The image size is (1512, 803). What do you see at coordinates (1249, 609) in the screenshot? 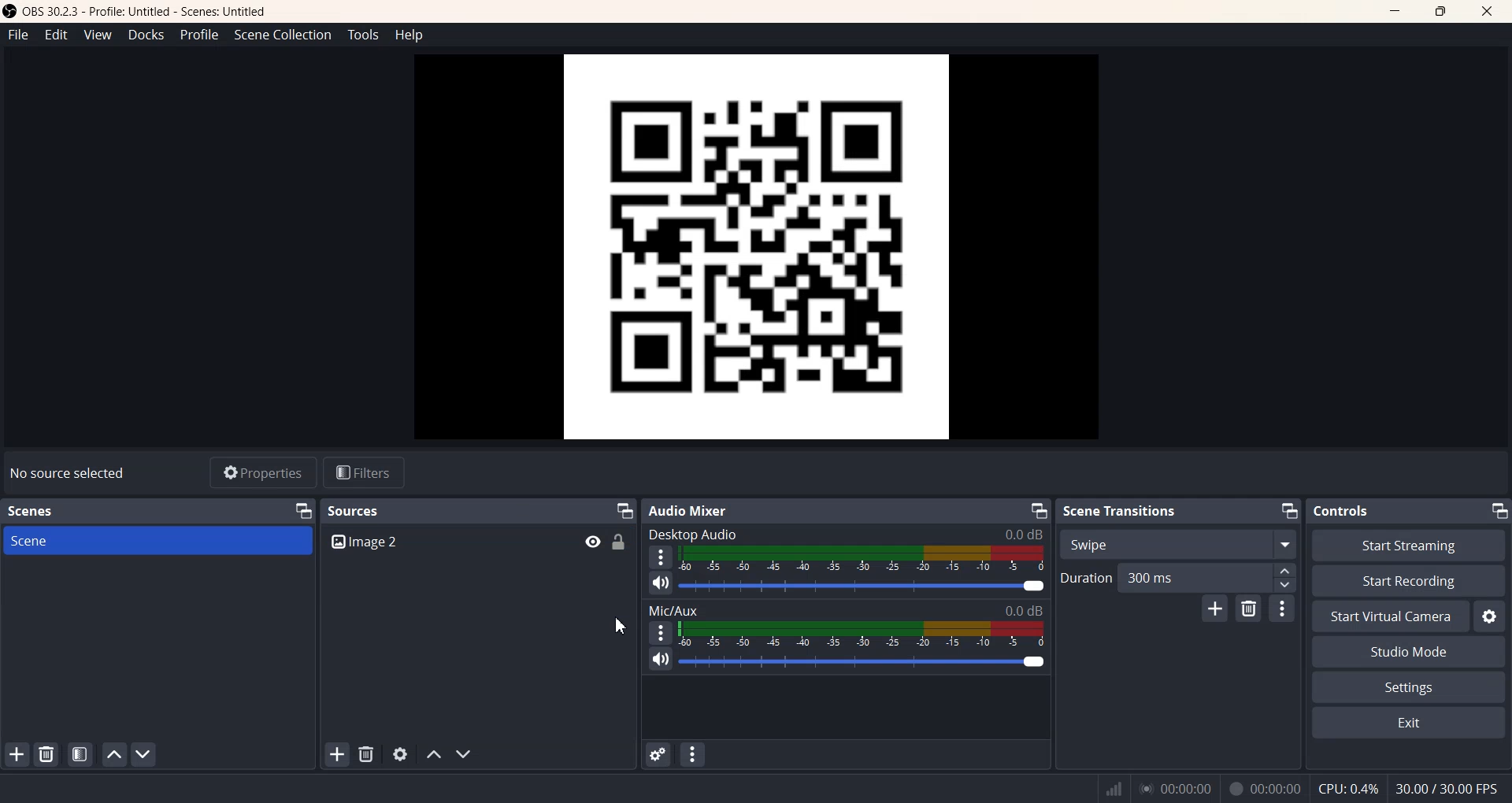
I see `Remove configurable transition` at bounding box center [1249, 609].